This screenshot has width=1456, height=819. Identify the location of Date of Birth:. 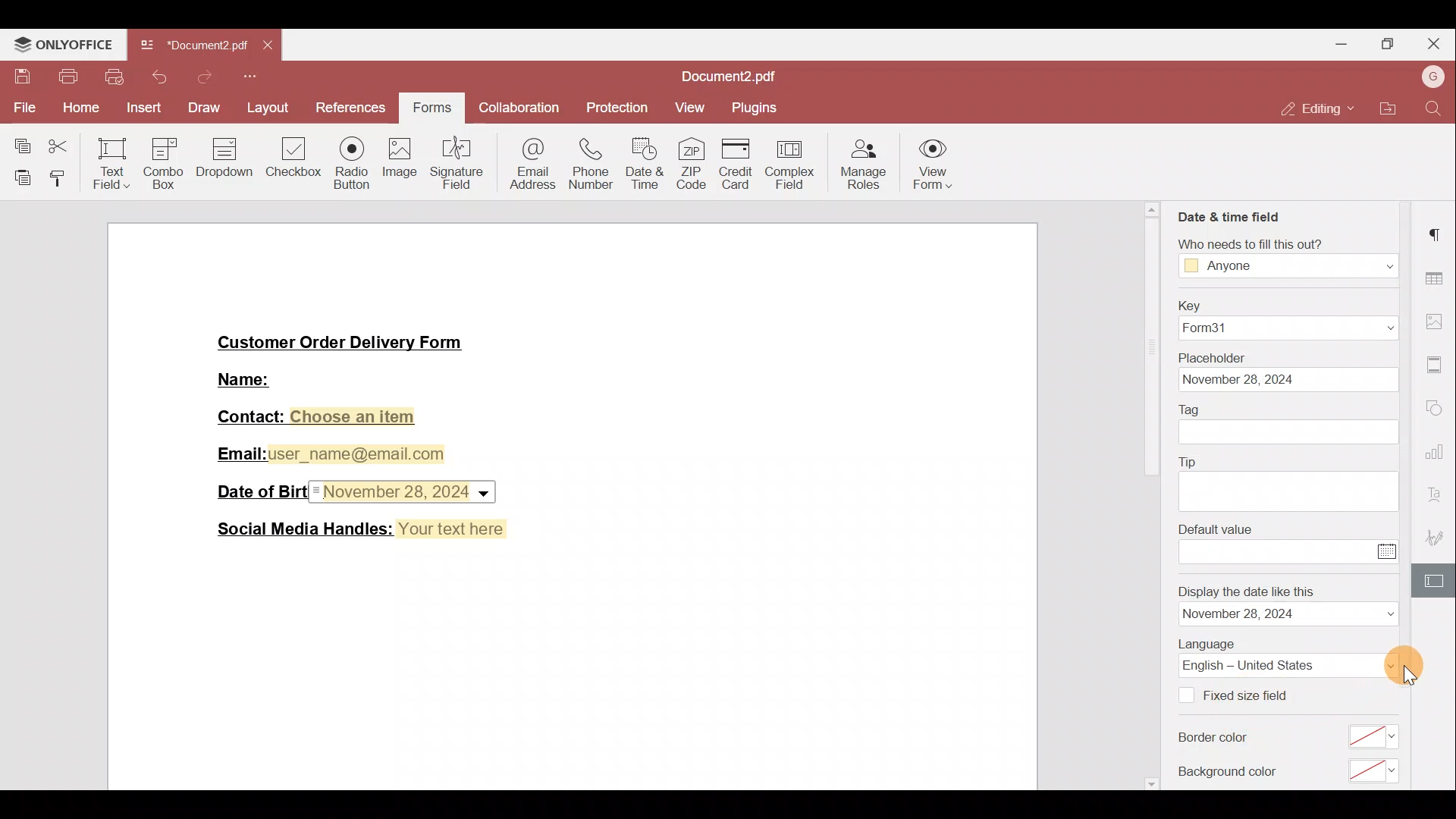
(258, 490).